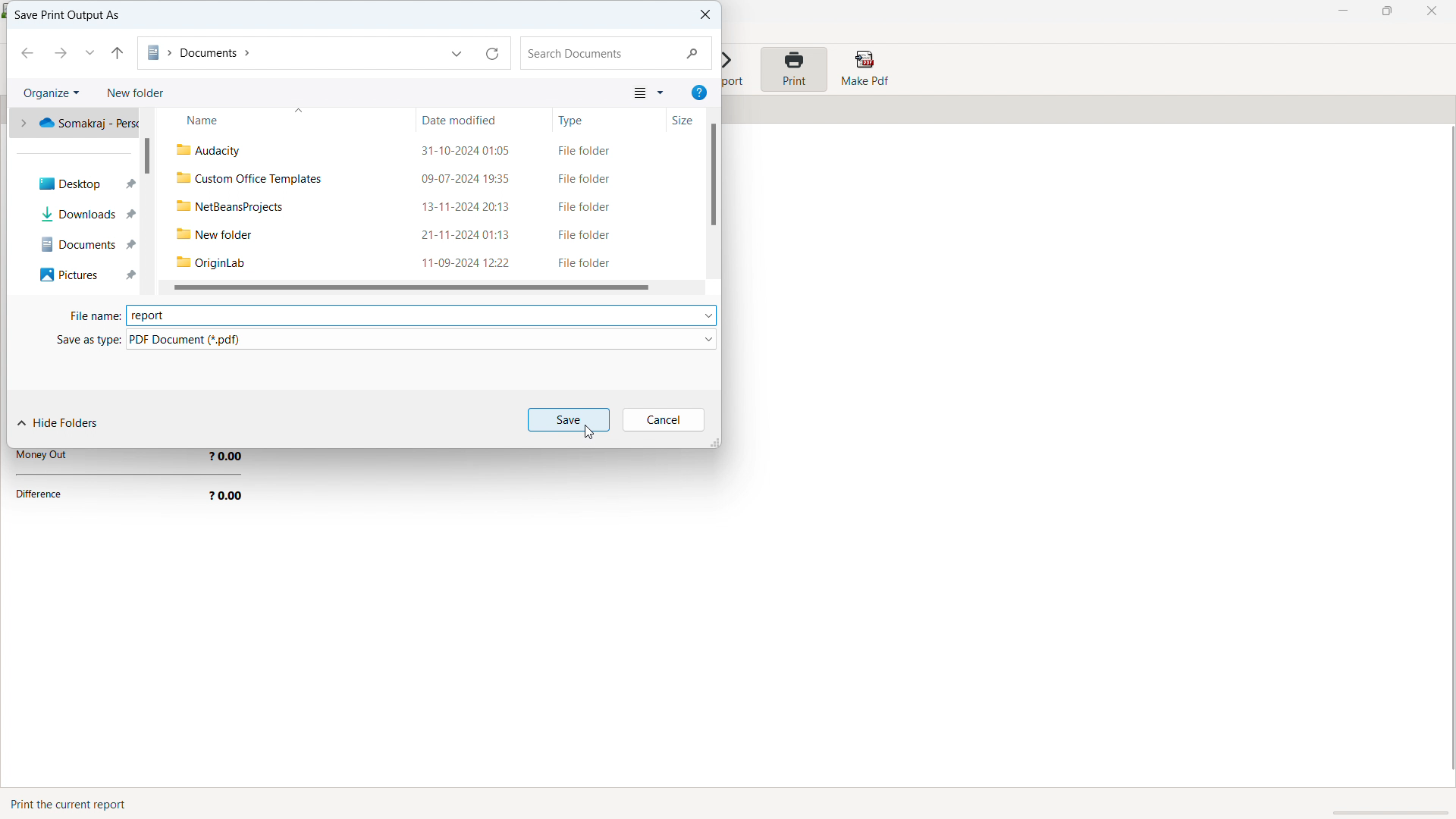 Image resolution: width=1456 pixels, height=819 pixels. I want to click on new folder, so click(135, 93).